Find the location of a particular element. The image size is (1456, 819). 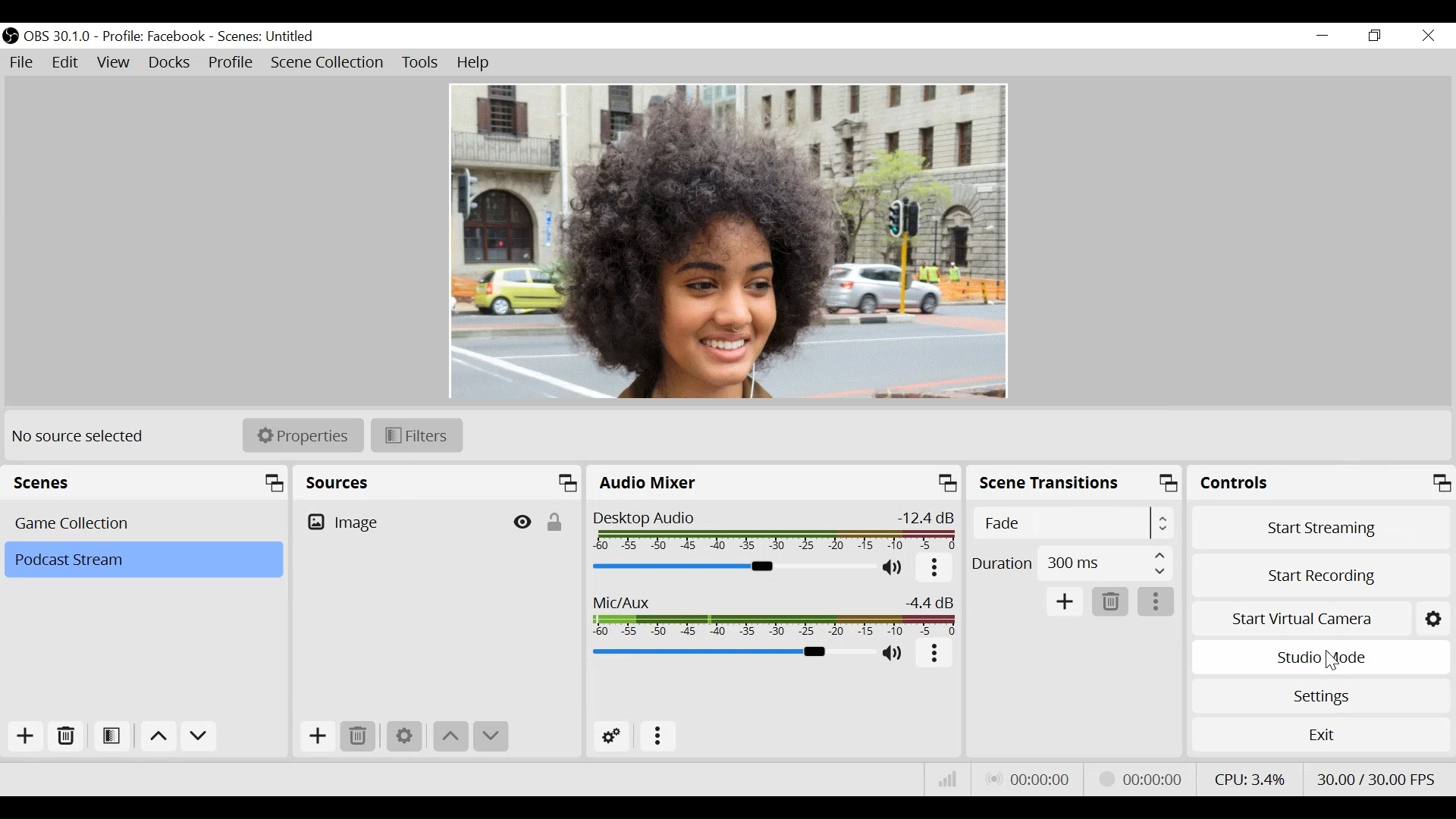

Scene Transition is located at coordinates (1073, 481).